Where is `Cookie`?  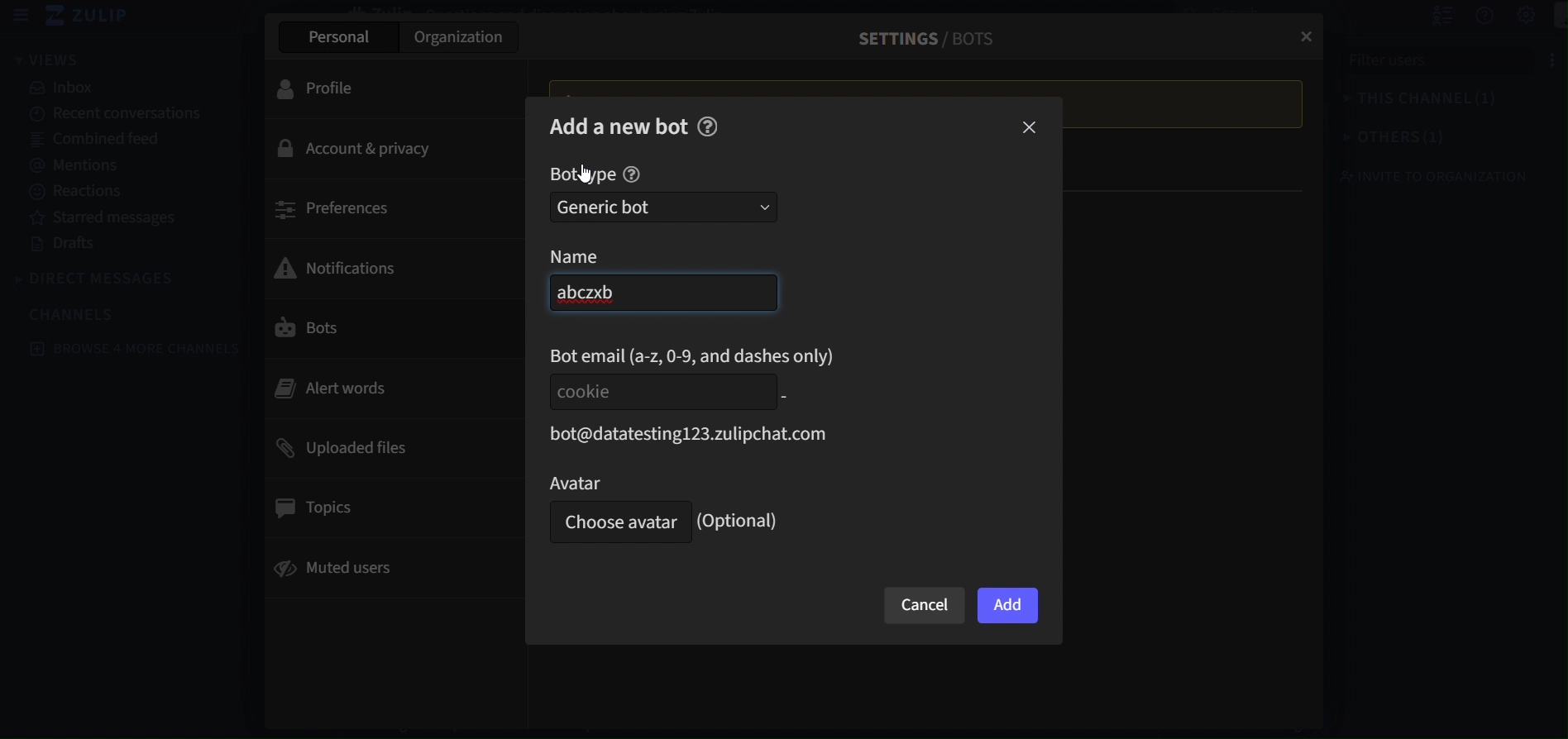
Cookie is located at coordinates (659, 391).